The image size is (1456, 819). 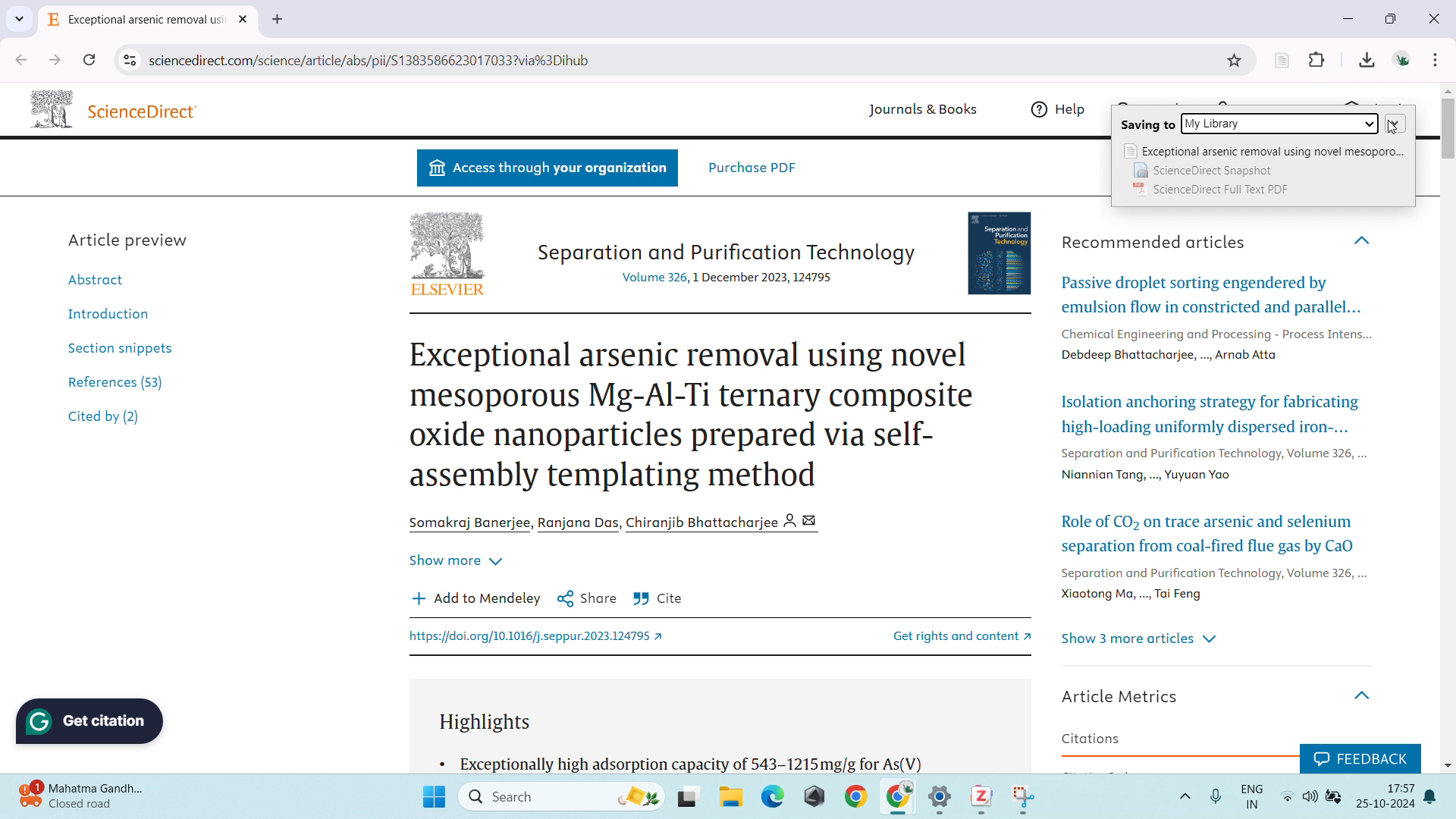 What do you see at coordinates (92, 721) in the screenshot?
I see `Grammarly` at bounding box center [92, 721].